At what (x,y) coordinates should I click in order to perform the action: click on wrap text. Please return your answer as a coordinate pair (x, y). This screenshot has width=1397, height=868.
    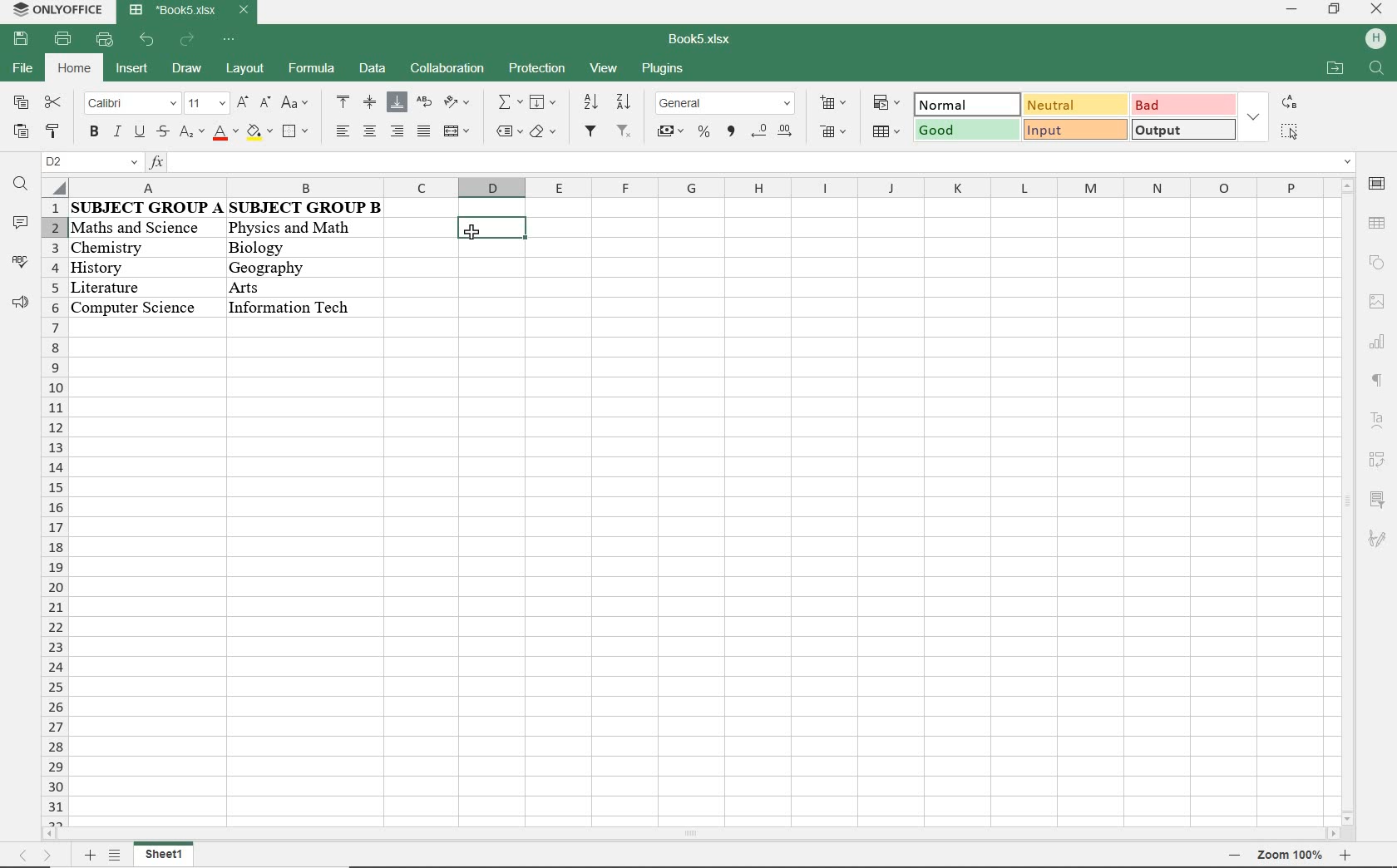
    Looking at the image, I should click on (426, 104).